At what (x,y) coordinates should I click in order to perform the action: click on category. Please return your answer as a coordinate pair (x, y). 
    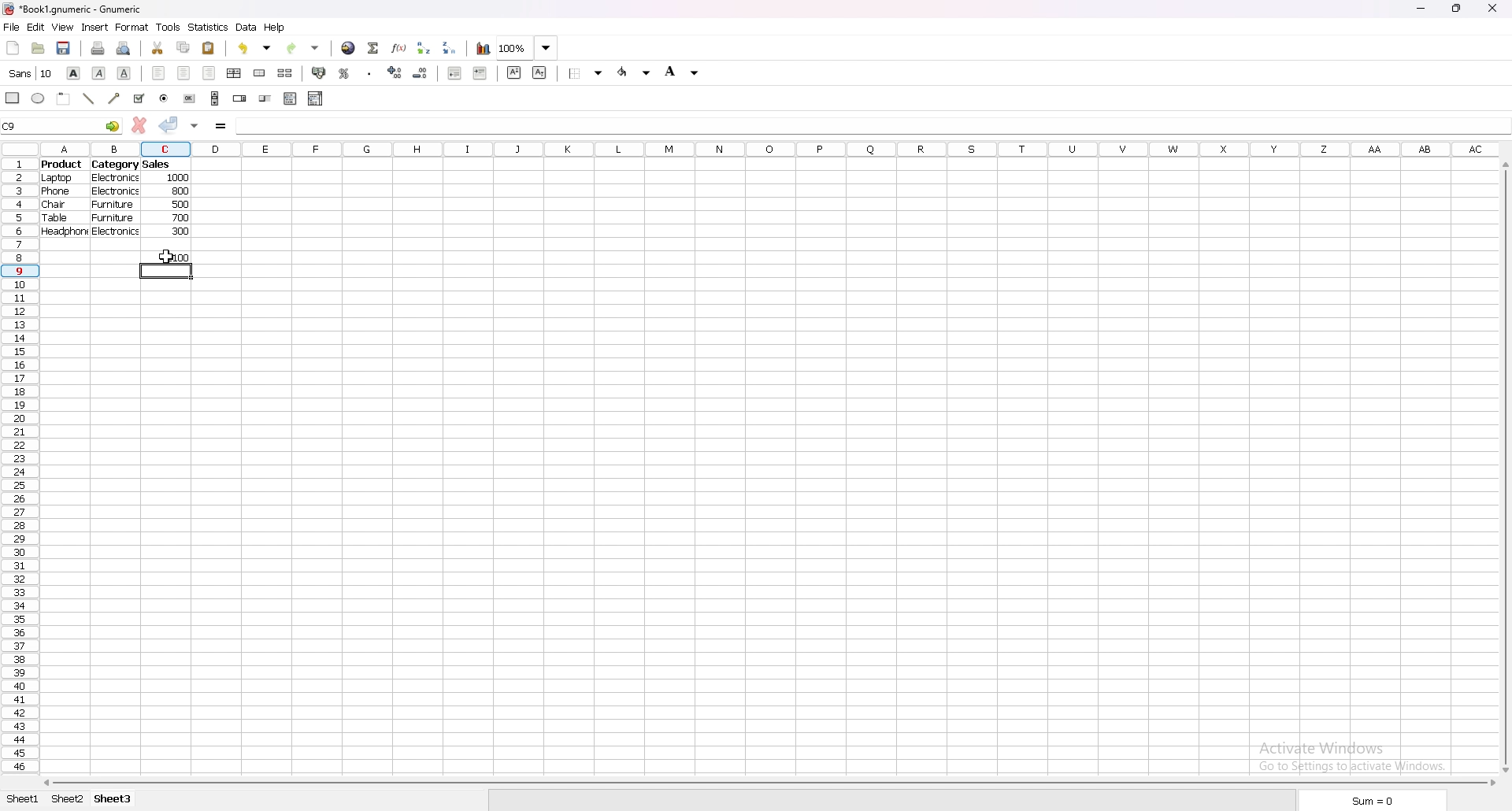
    Looking at the image, I should click on (116, 164).